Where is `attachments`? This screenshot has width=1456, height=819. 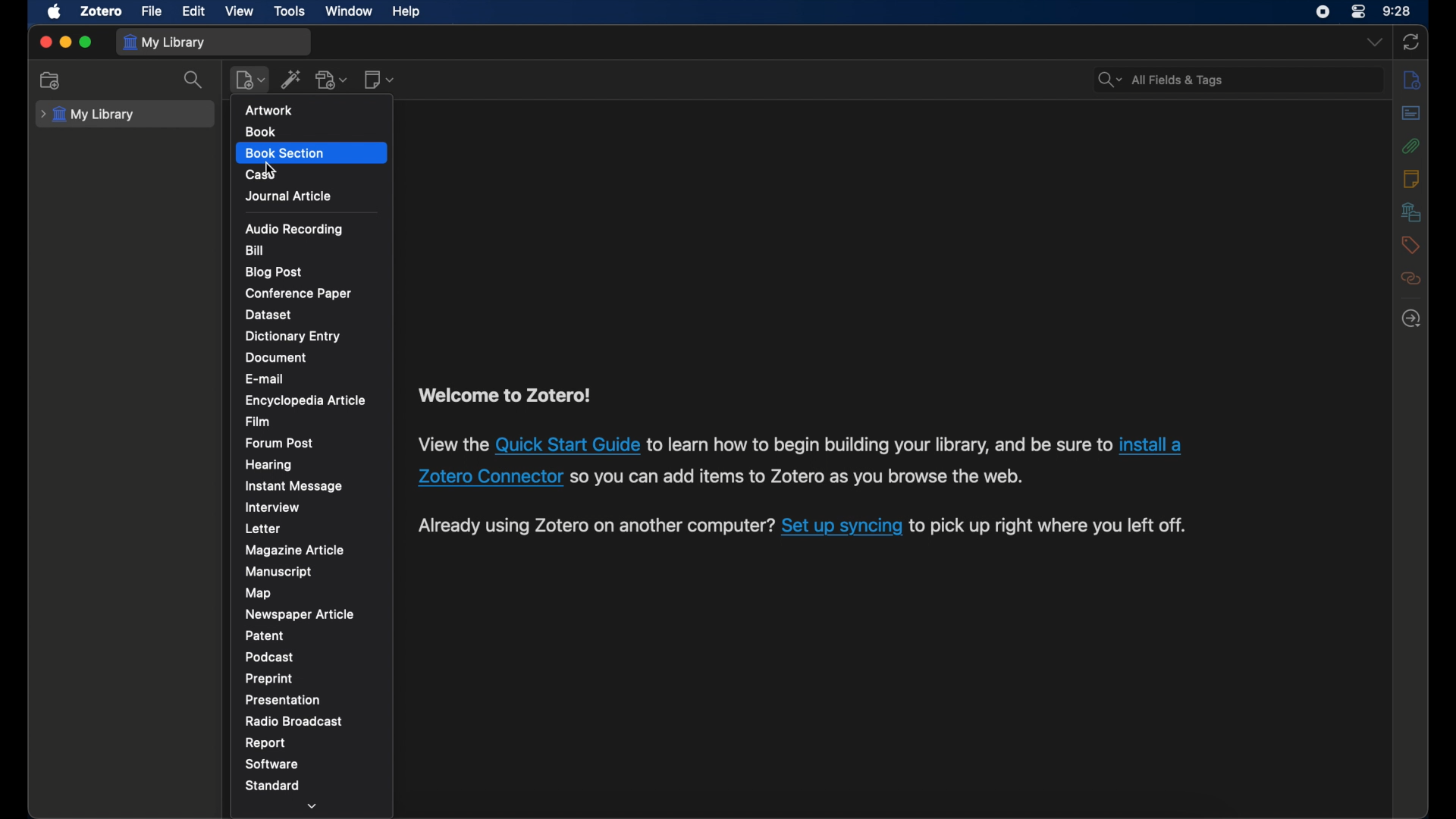 attachments is located at coordinates (1411, 146).